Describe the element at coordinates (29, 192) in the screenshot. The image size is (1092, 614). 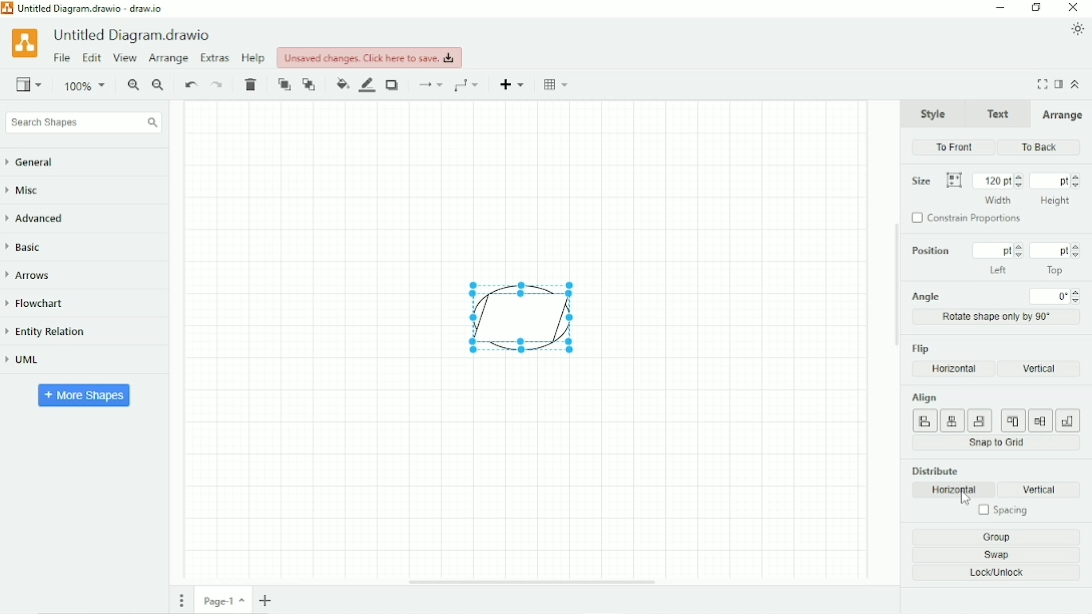
I see `Misc` at that location.